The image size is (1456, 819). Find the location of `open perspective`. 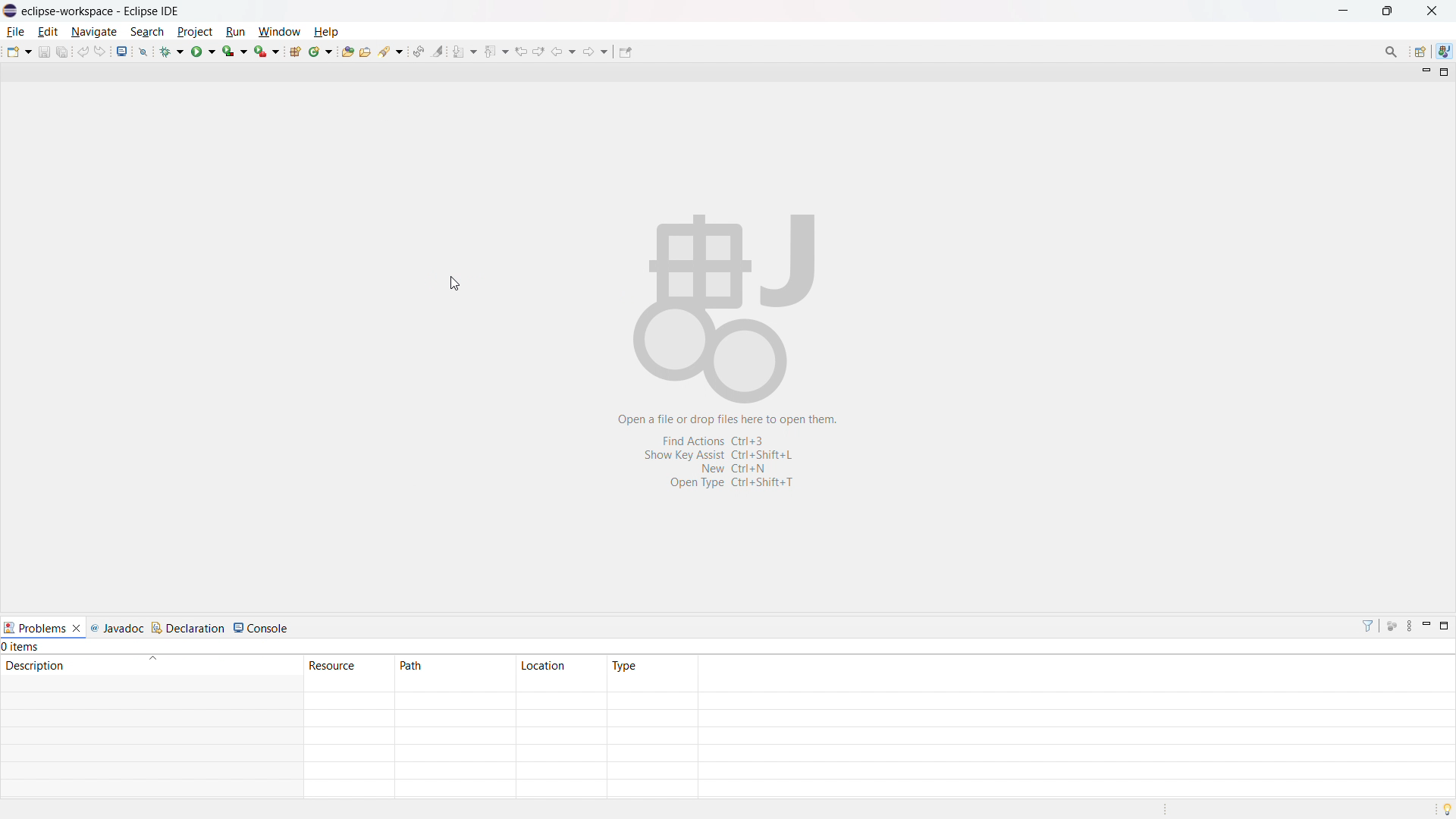

open perspective is located at coordinates (1421, 52).